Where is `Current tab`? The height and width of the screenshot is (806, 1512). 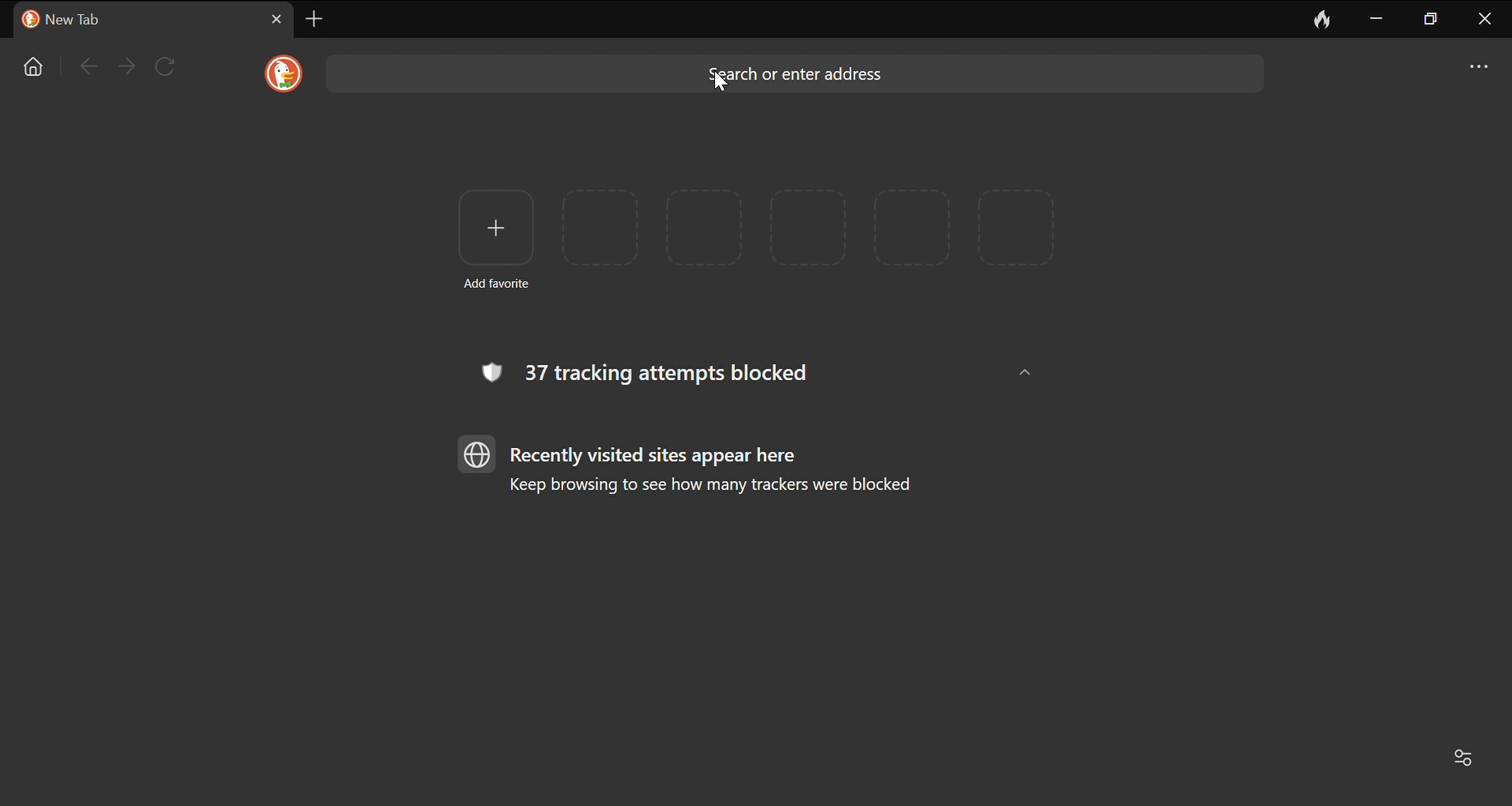
Current tab is located at coordinates (132, 20).